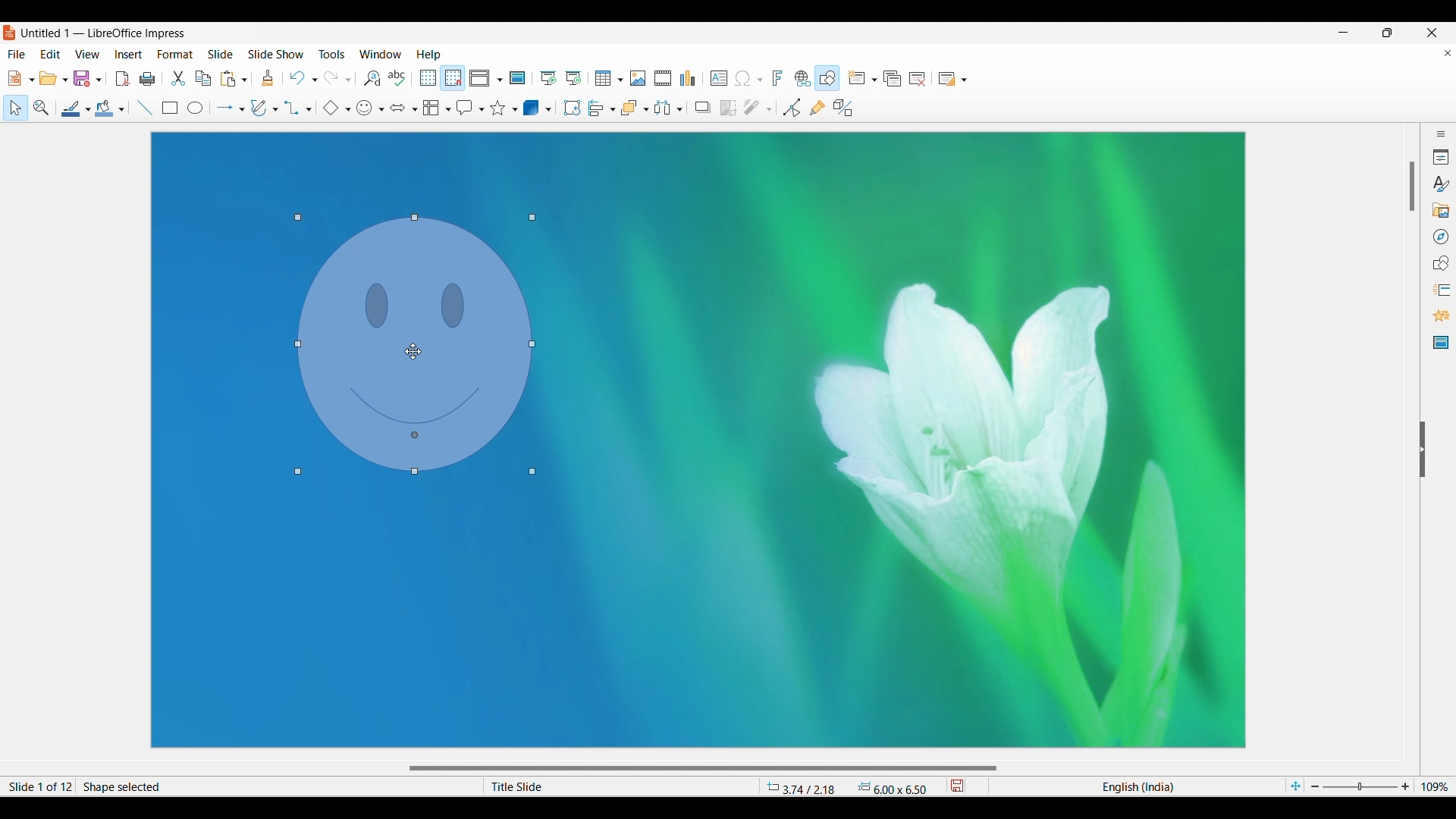  Describe the element at coordinates (466, 108) in the screenshot. I see `Selected callout shape` at that location.